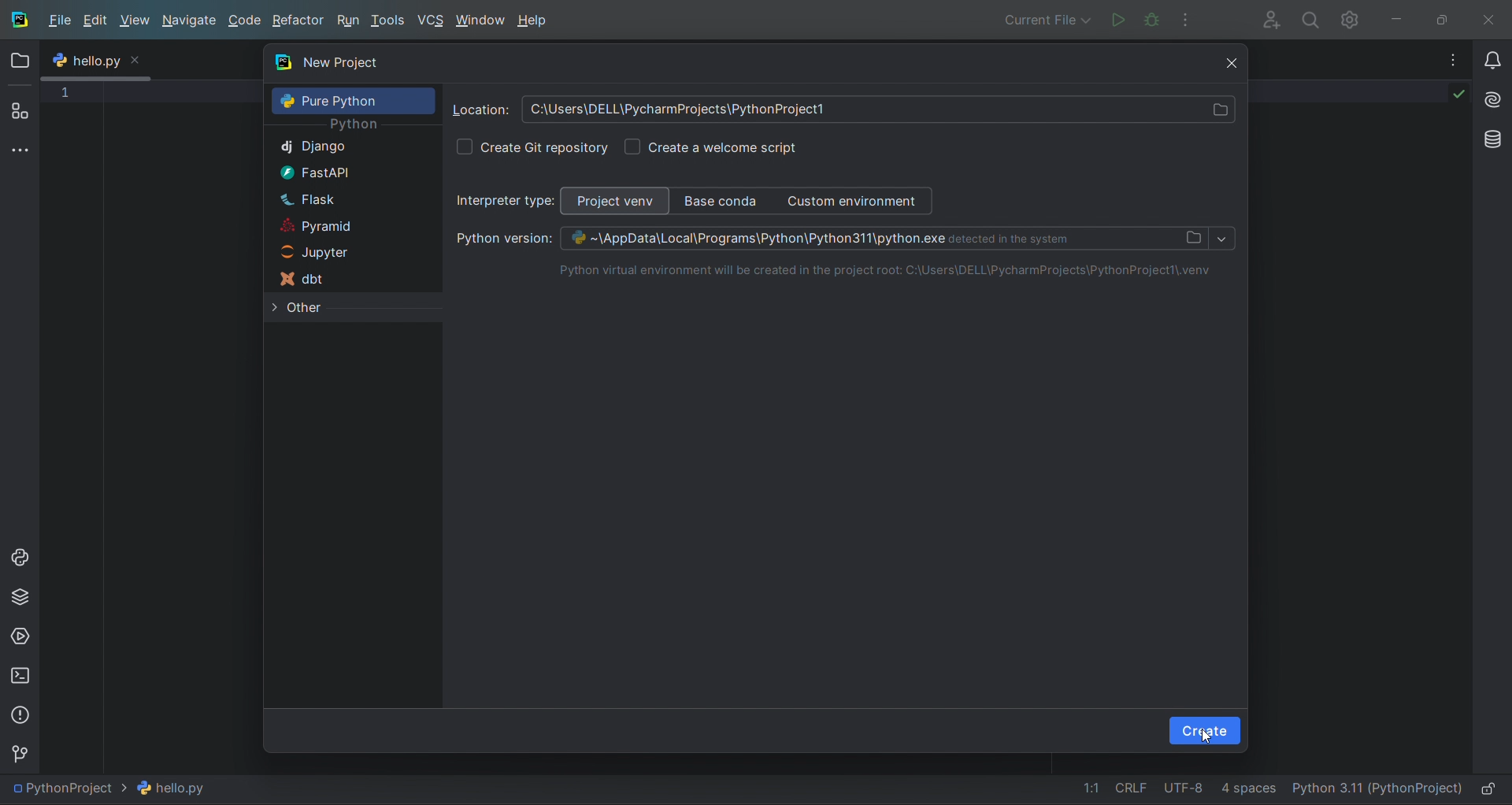  What do you see at coordinates (60, 61) in the screenshot?
I see `python logo` at bounding box center [60, 61].